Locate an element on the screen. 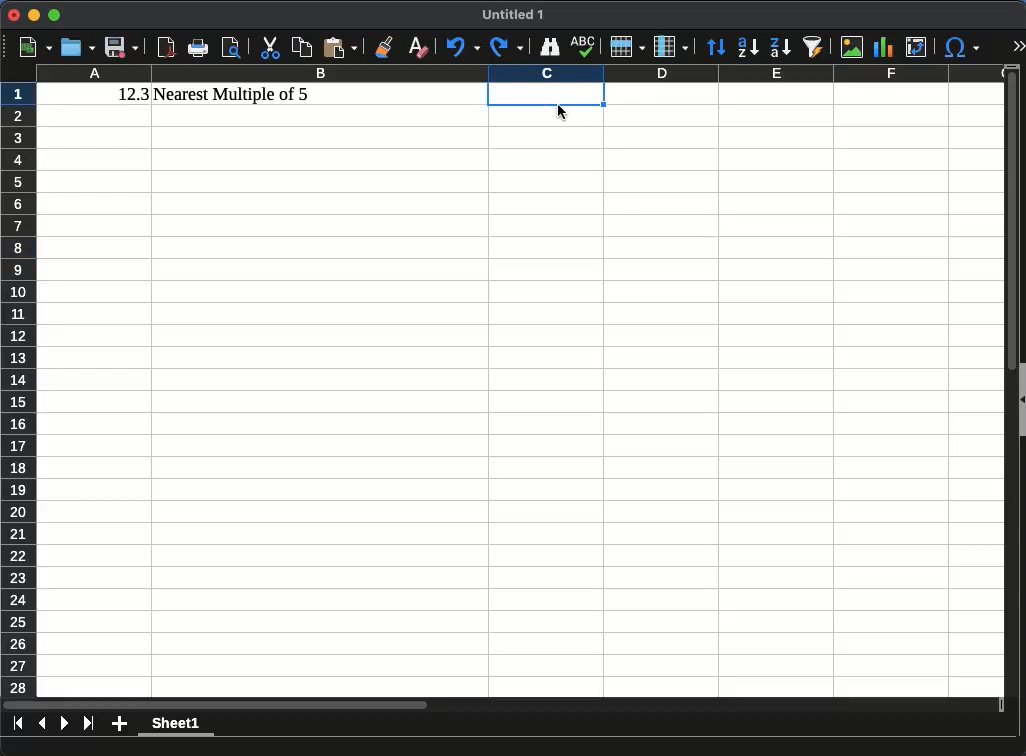 This screenshot has width=1026, height=756. column  is located at coordinates (524, 75).